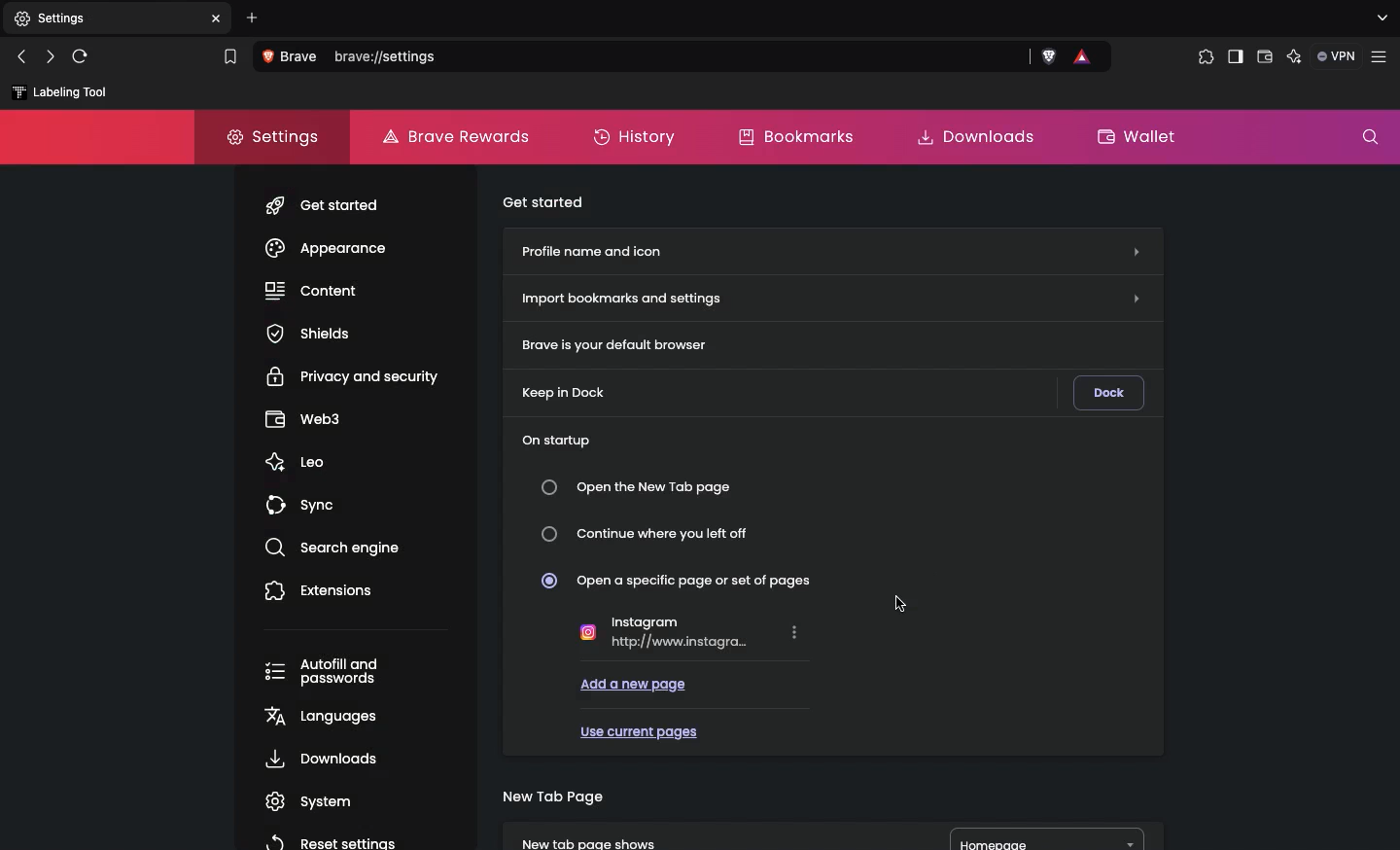  I want to click on History, so click(638, 138).